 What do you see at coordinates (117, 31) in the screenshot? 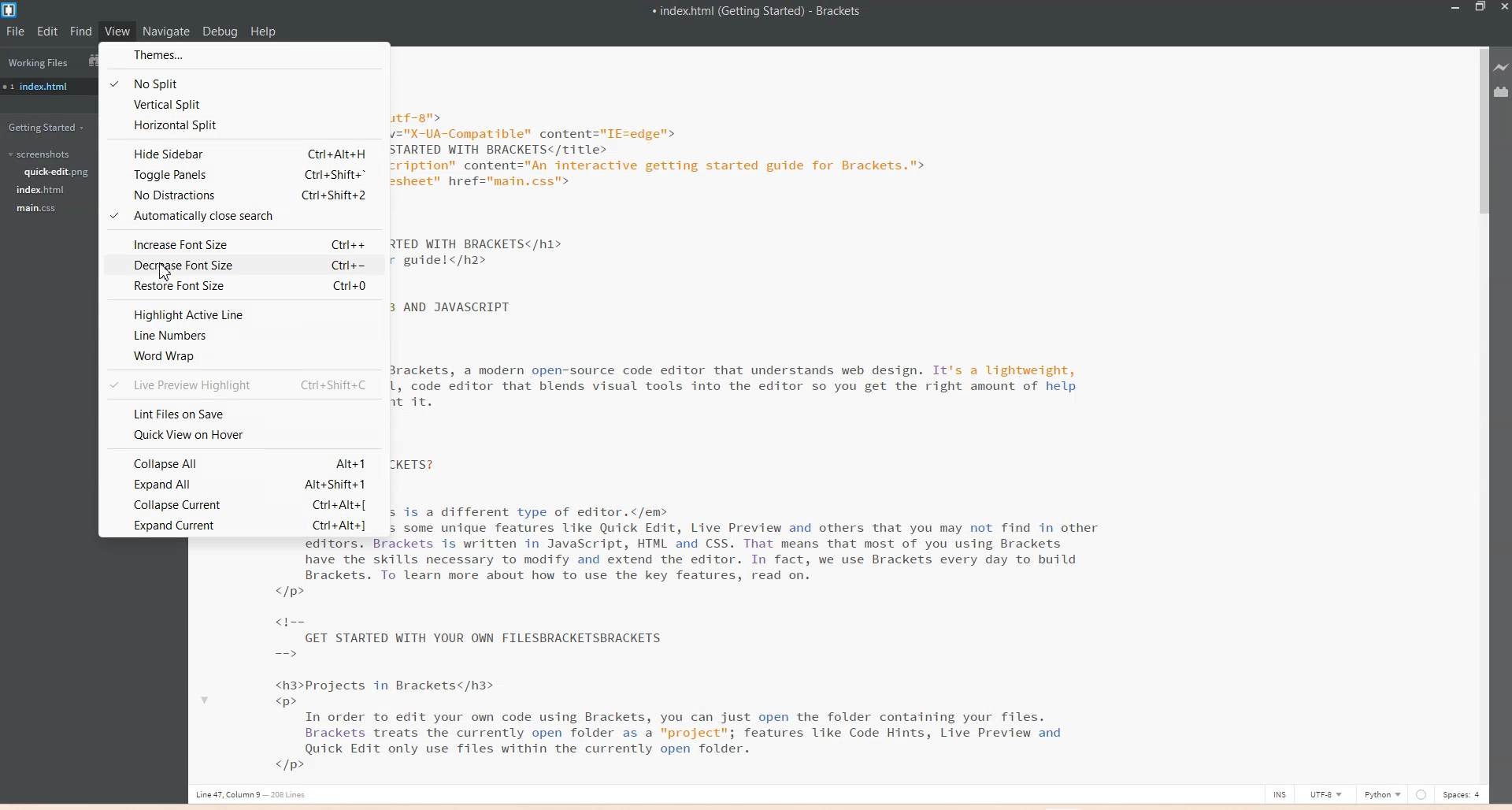
I see `View` at bounding box center [117, 31].